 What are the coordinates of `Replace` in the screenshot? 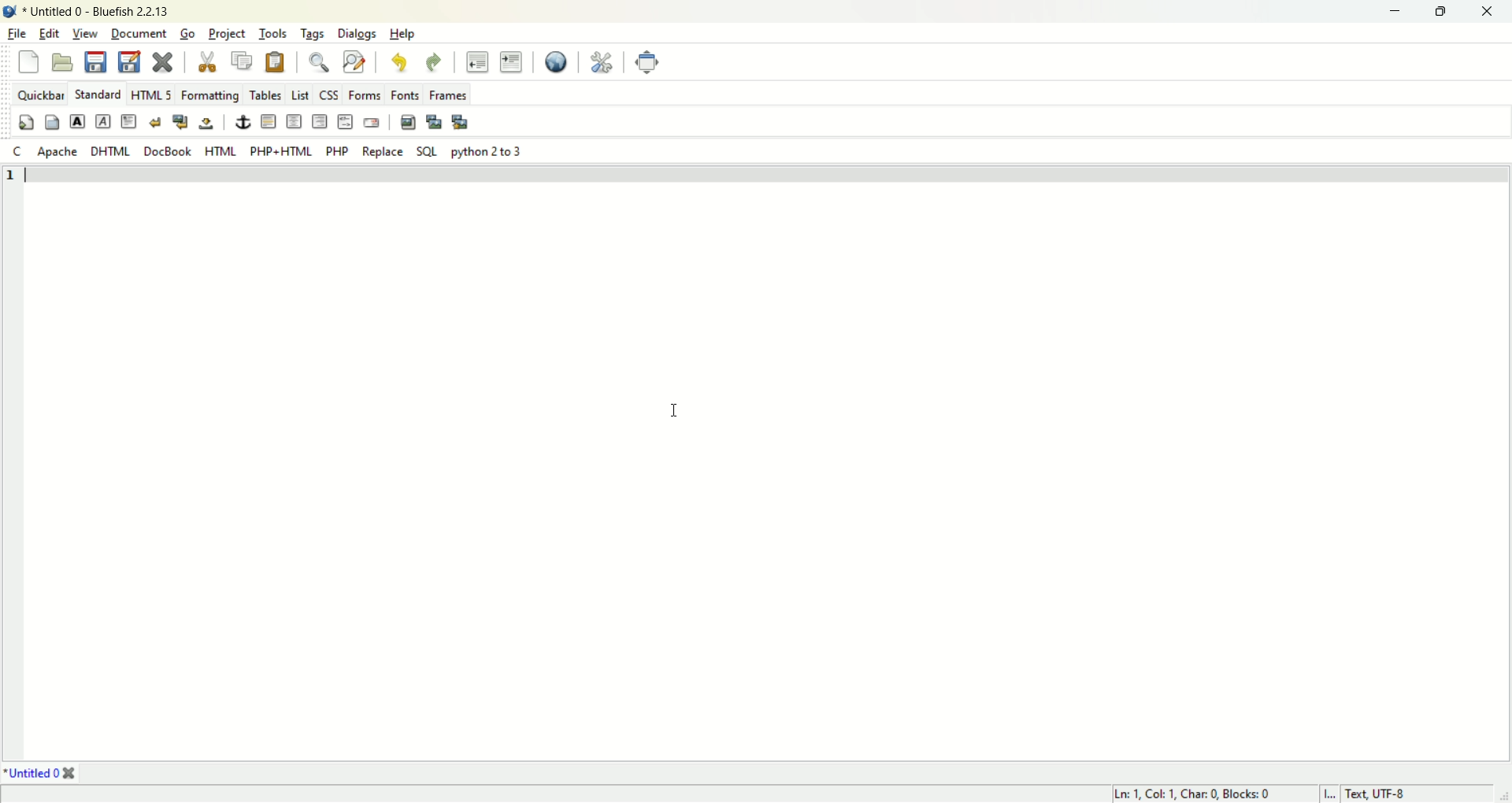 It's located at (386, 151).